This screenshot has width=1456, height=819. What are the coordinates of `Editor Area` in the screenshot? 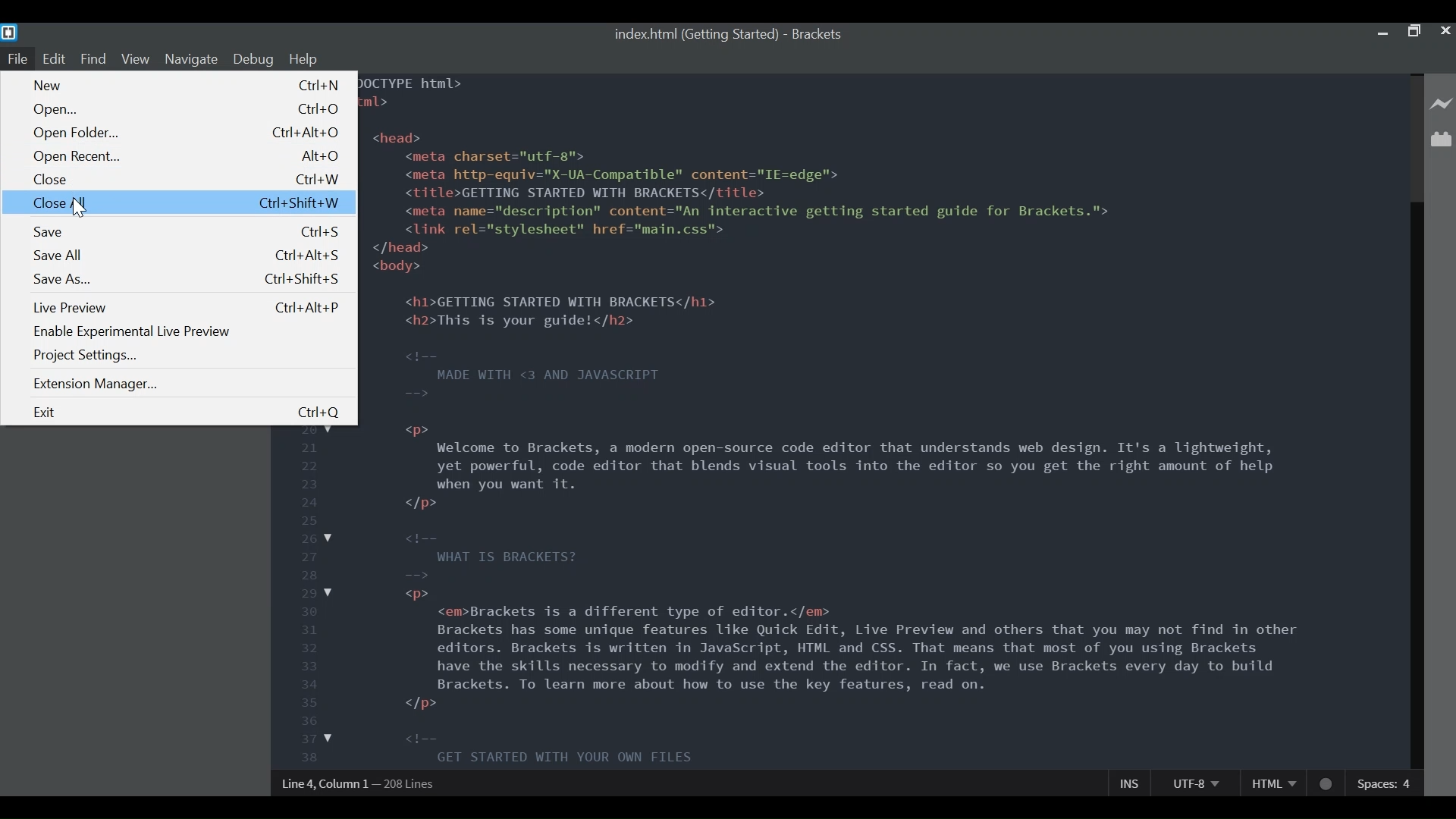 It's located at (888, 420).